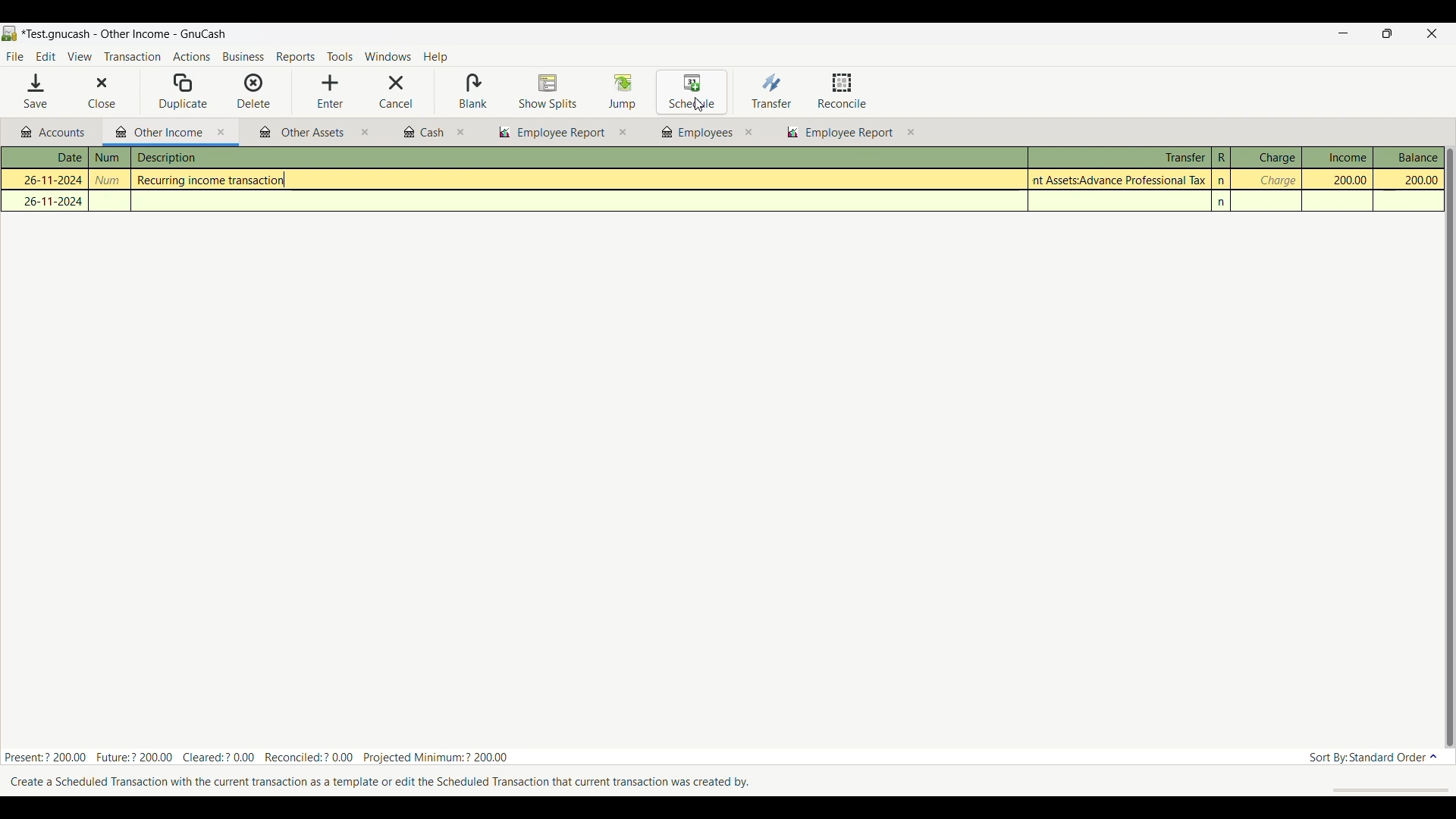 This screenshot has width=1456, height=819. Describe the element at coordinates (623, 133) in the screenshot. I see `close` at that location.